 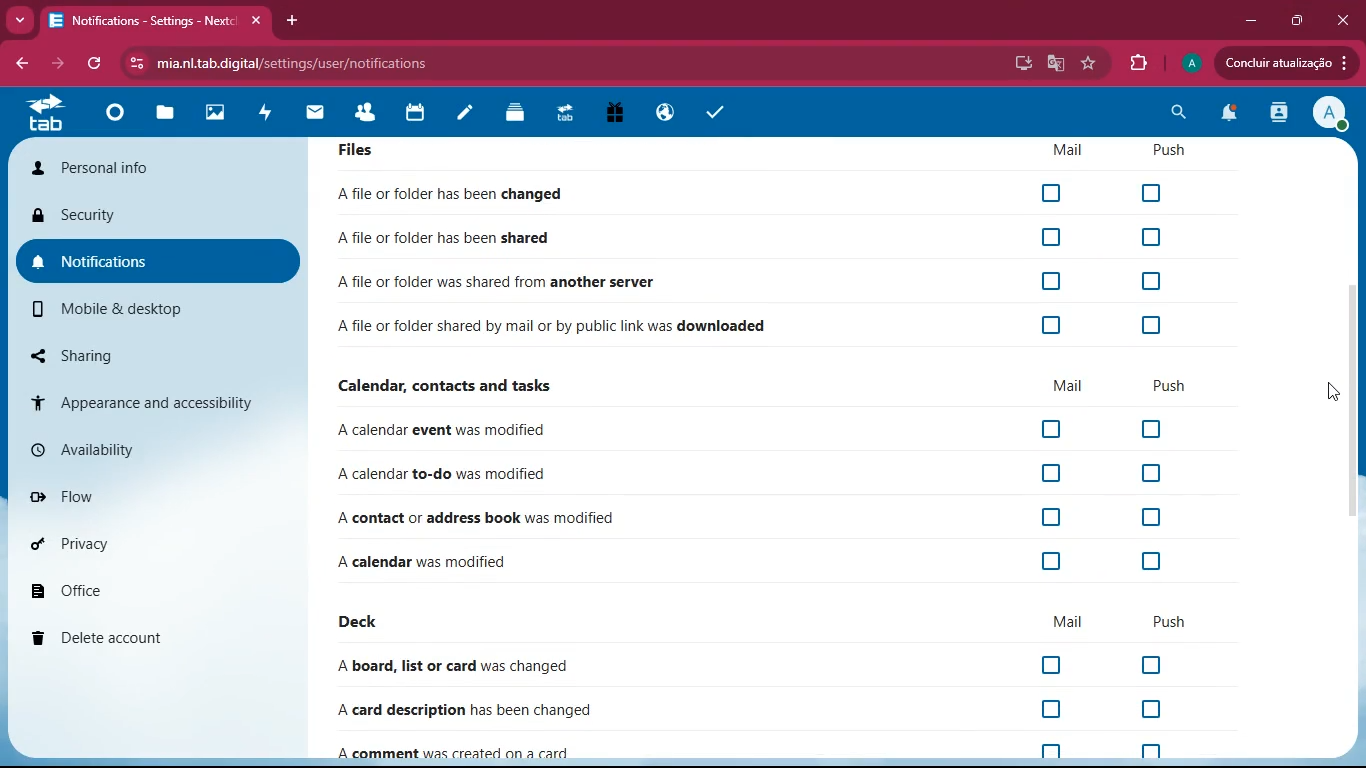 What do you see at coordinates (271, 116) in the screenshot?
I see `activity` at bounding box center [271, 116].